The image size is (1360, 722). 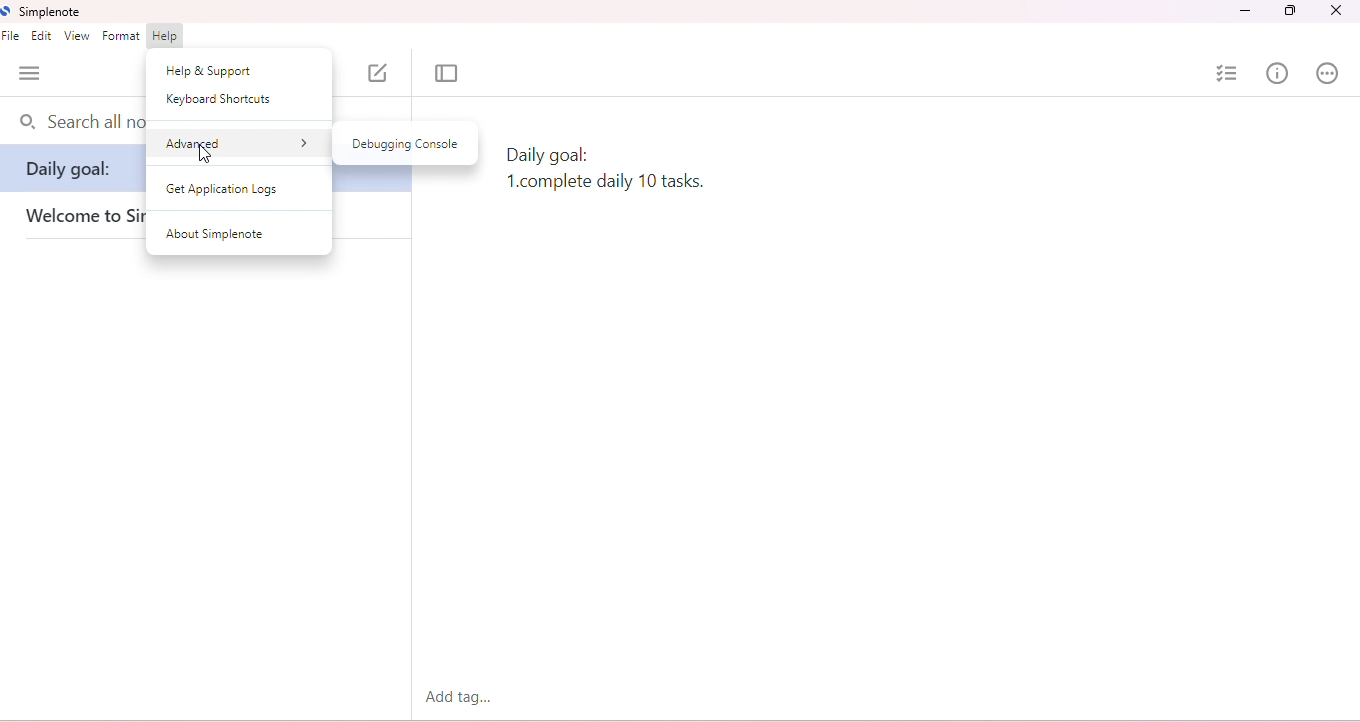 I want to click on actions, so click(x=1327, y=72).